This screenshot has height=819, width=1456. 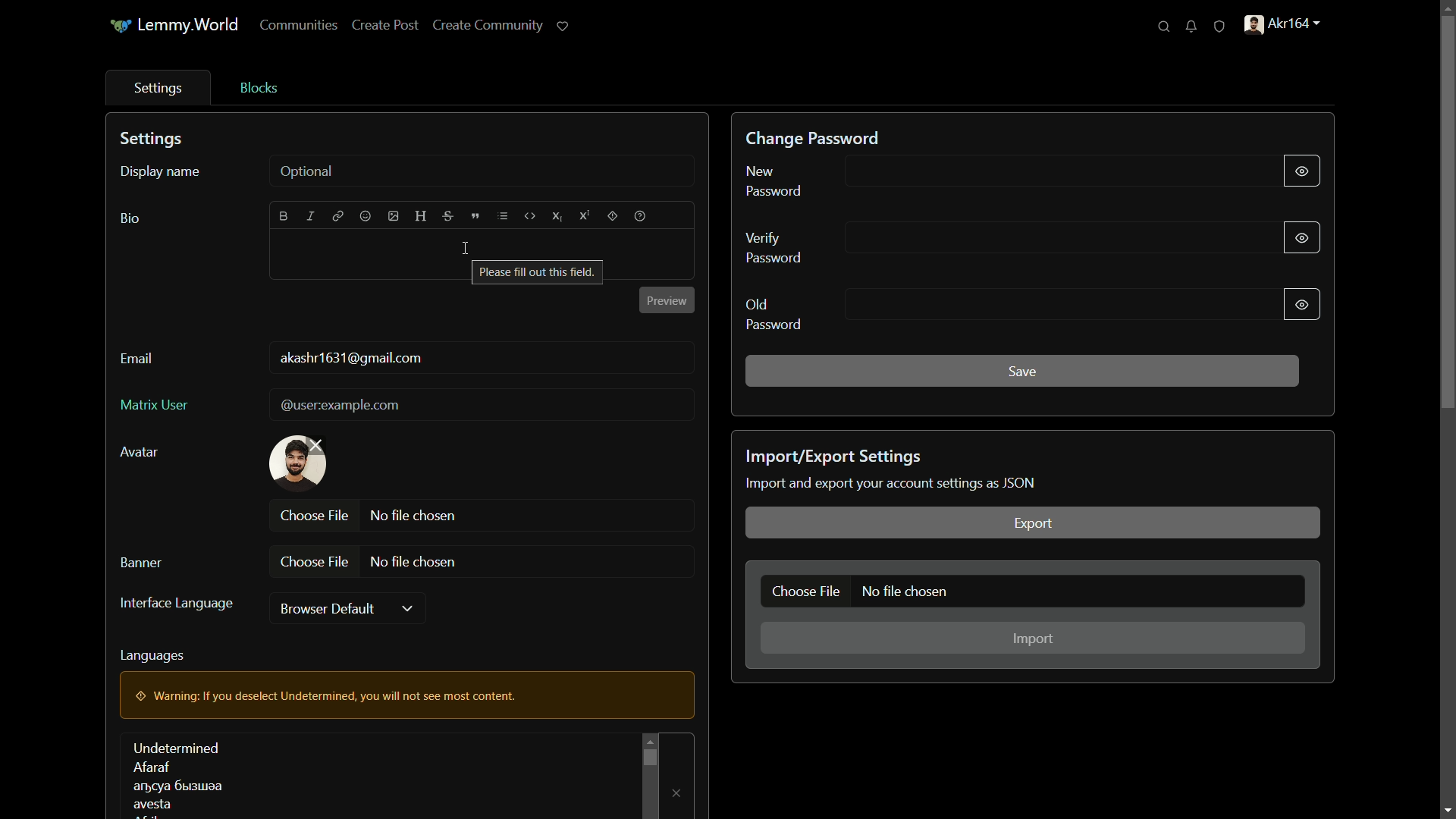 What do you see at coordinates (1032, 522) in the screenshot?
I see `export` at bounding box center [1032, 522].